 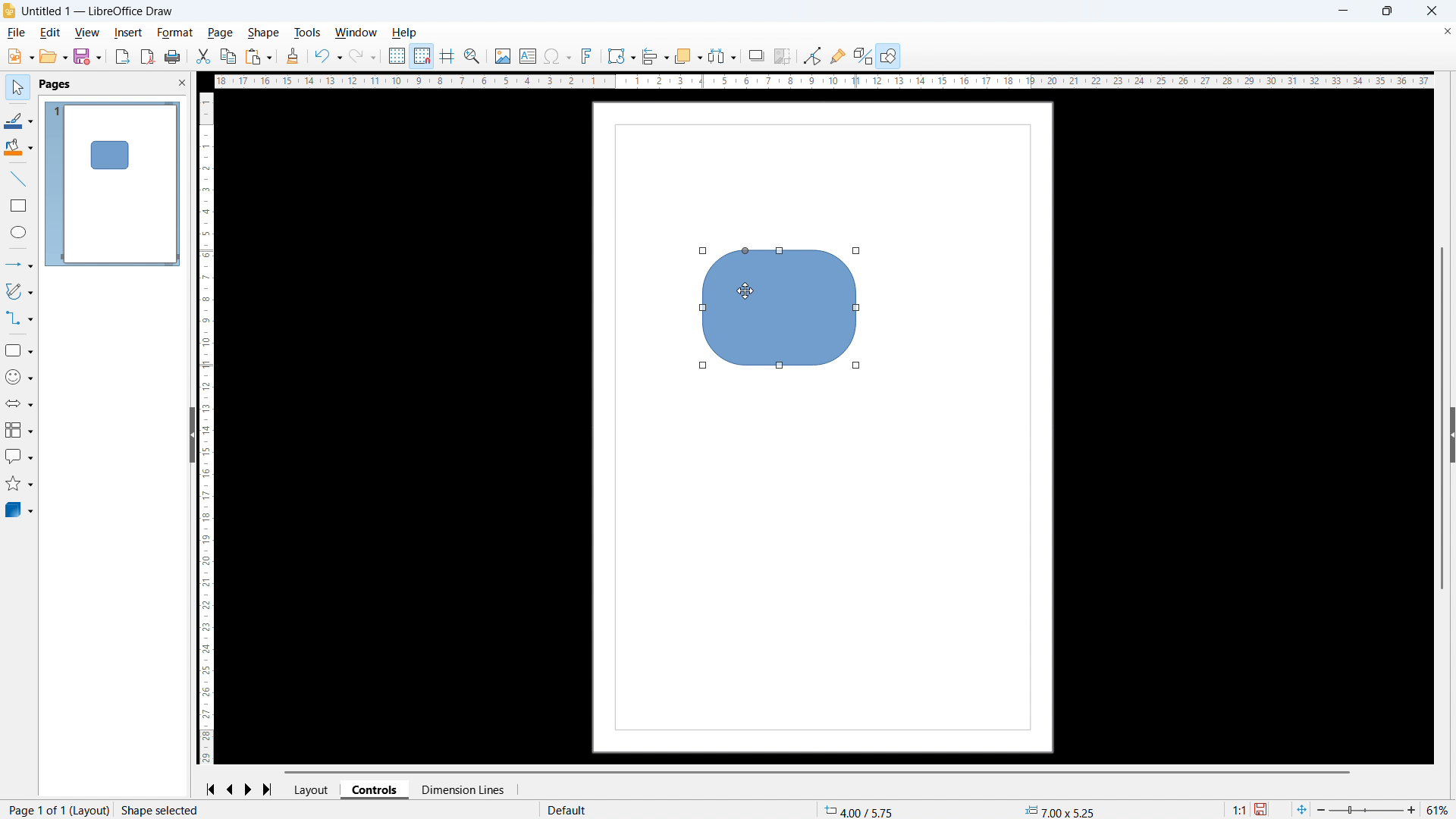 What do you see at coordinates (1442, 418) in the screenshot?
I see `Vertical scroll bar ` at bounding box center [1442, 418].